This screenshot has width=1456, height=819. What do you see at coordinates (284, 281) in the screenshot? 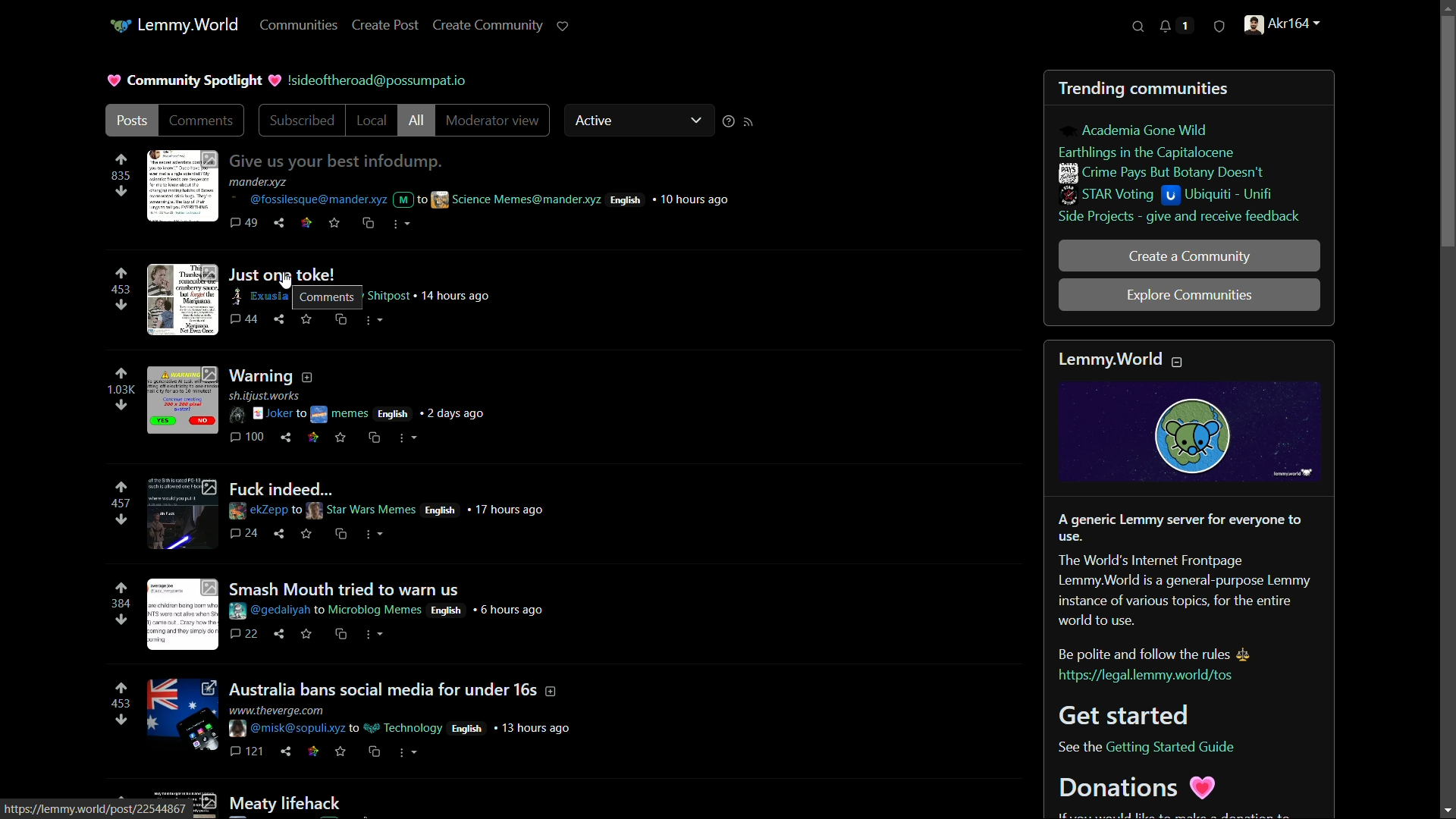
I see `cursor` at bounding box center [284, 281].